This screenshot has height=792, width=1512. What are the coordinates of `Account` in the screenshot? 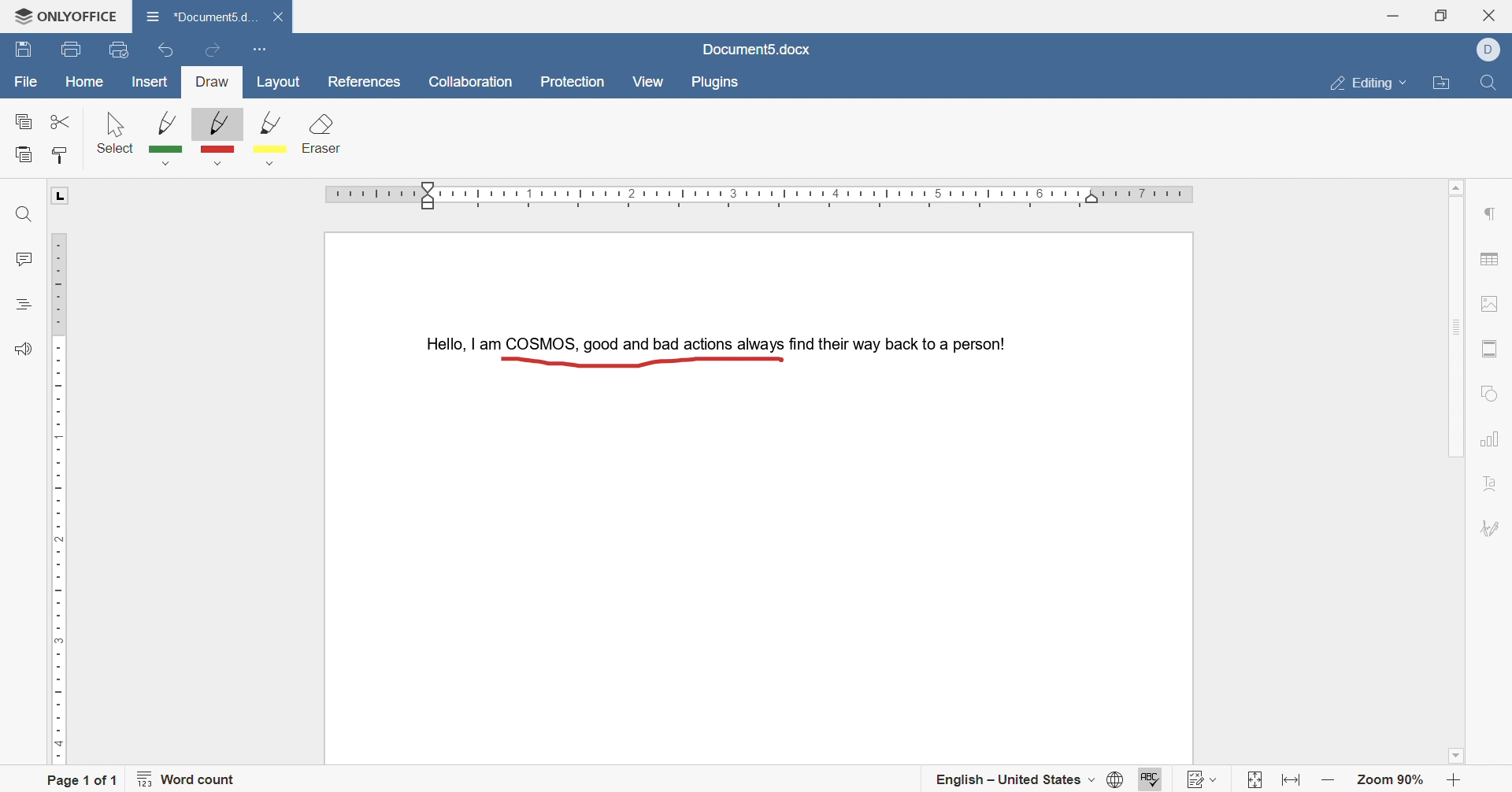 It's located at (1493, 50).